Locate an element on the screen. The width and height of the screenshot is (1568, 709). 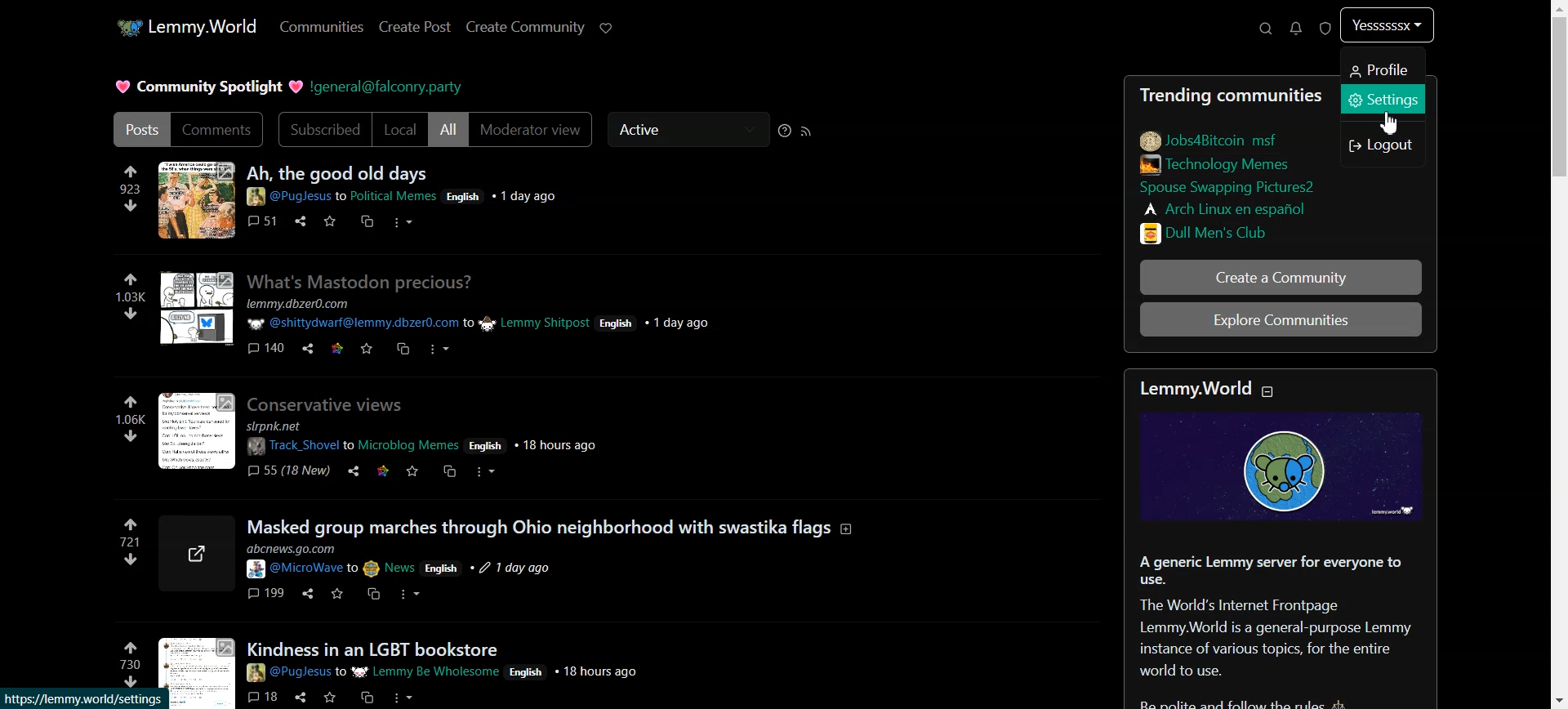
Unread report is located at coordinates (1326, 28).